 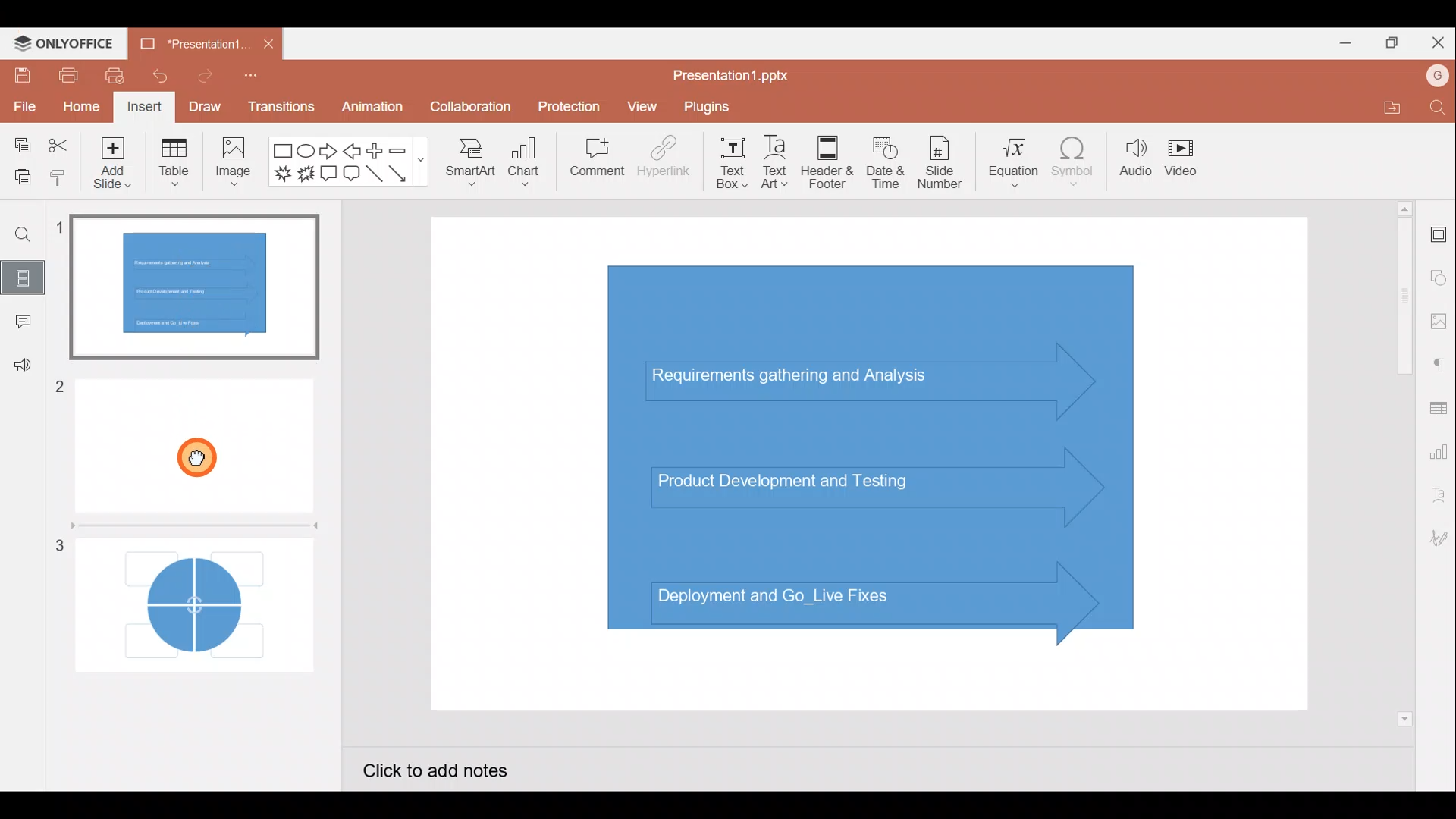 What do you see at coordinates (374, 174) in the screenshot?
I see `Line` at bounding box center [374, 174].